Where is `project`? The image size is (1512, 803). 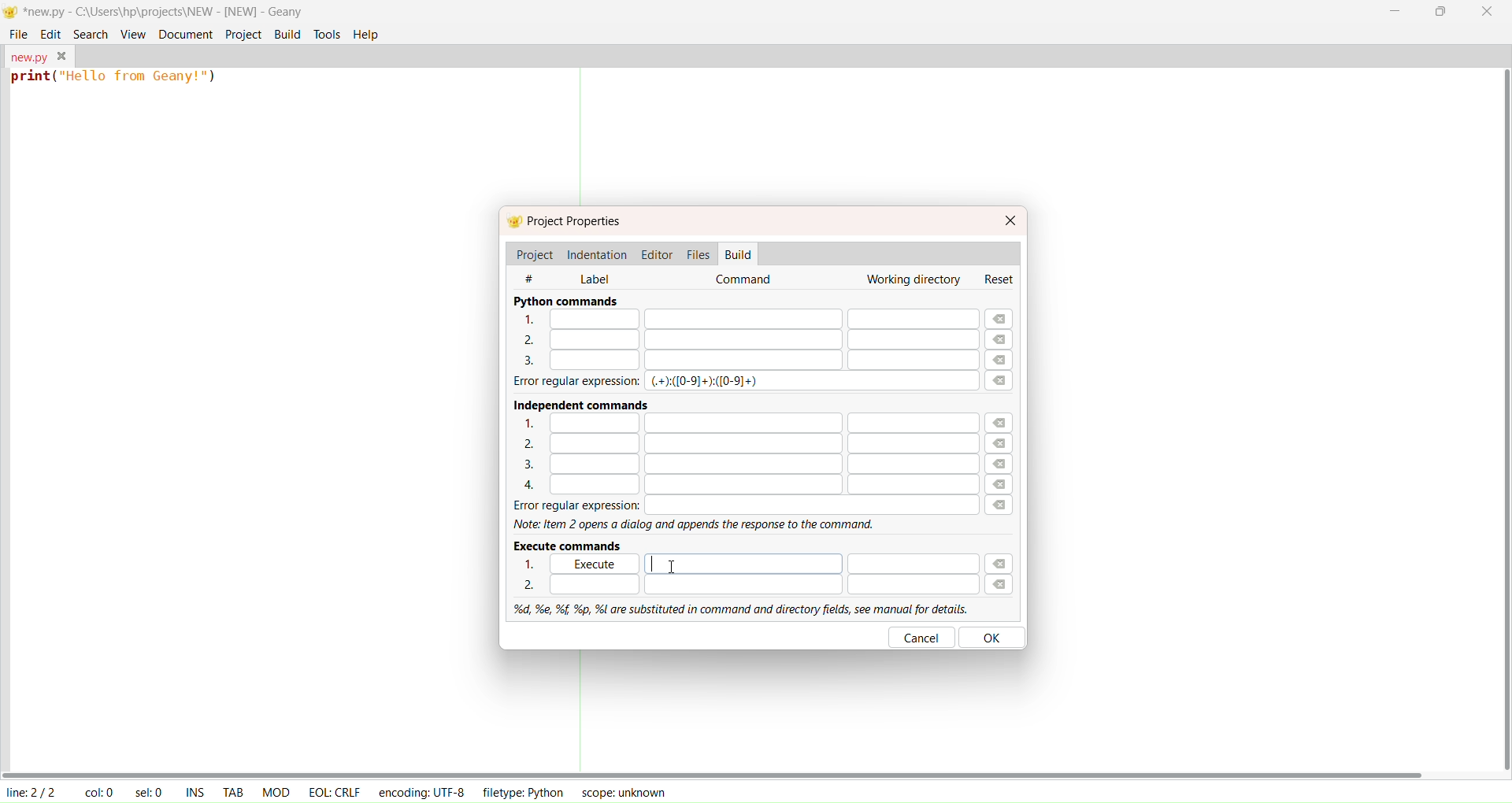
project is located at coordinates (534, 254).